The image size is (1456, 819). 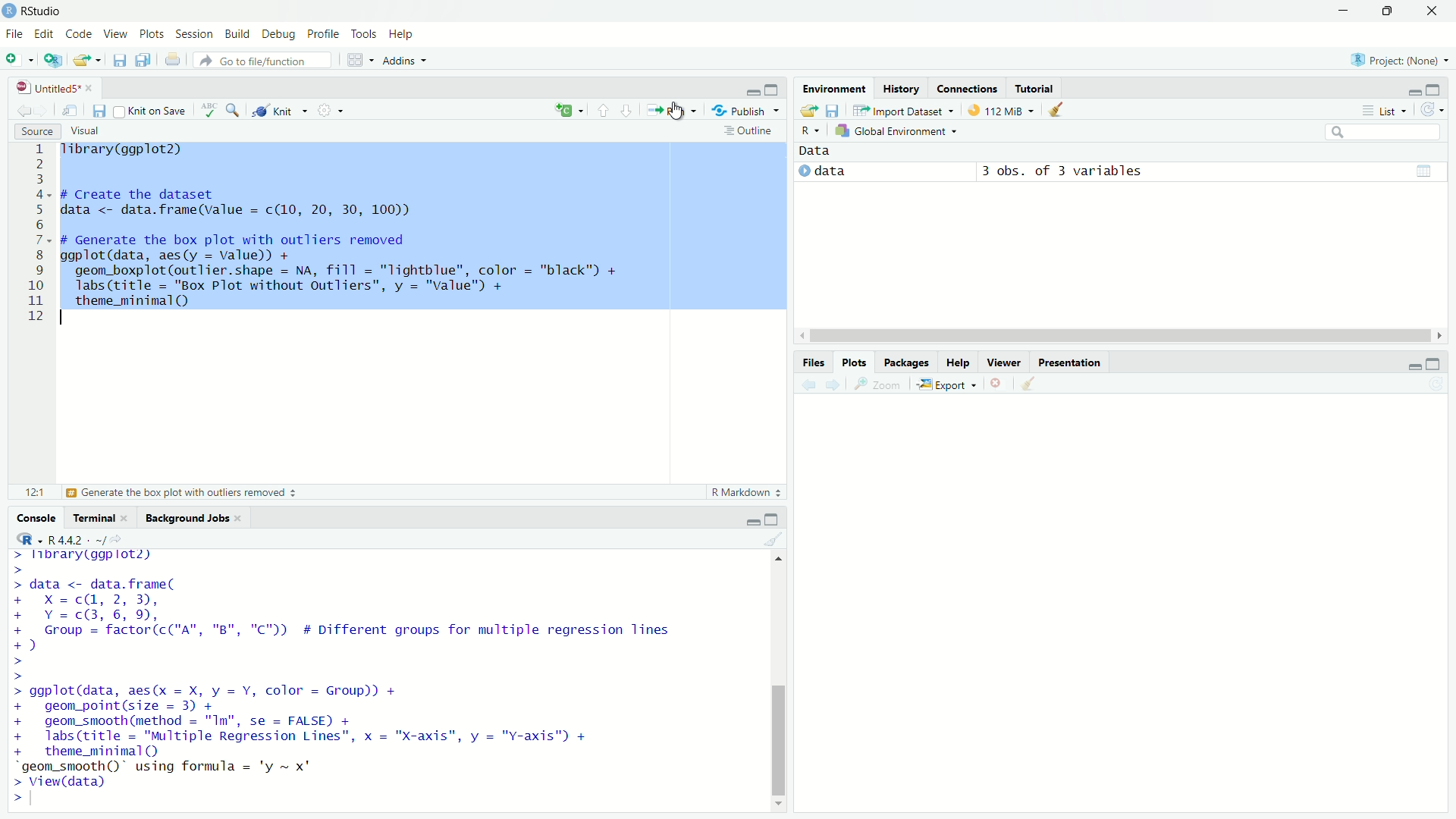 I want to click on minimise, so click(x=745, y=92).